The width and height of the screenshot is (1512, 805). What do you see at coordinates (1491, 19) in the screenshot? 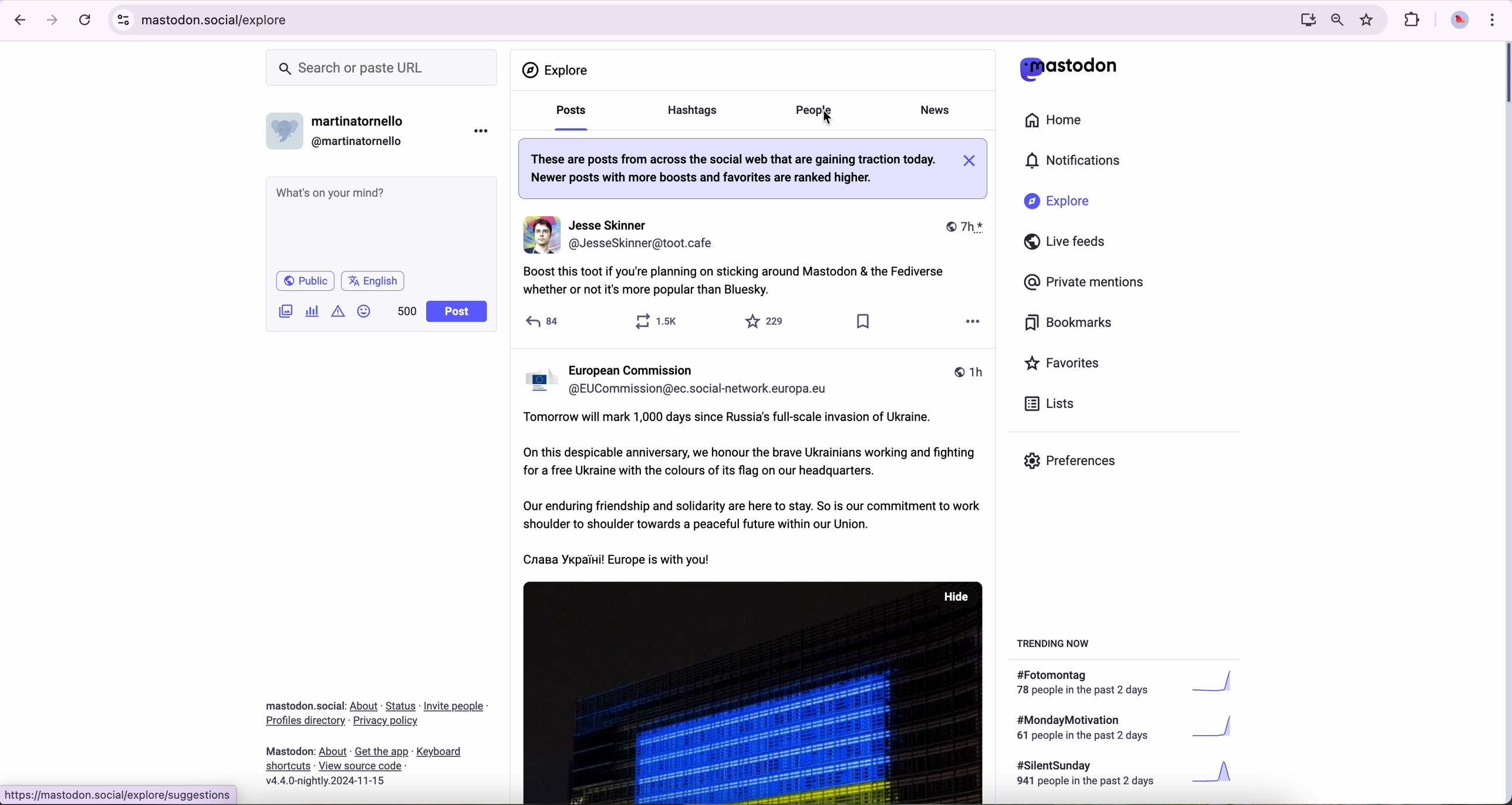
I see `customize and control Google Chrome` at bounding box center [1491, 19].